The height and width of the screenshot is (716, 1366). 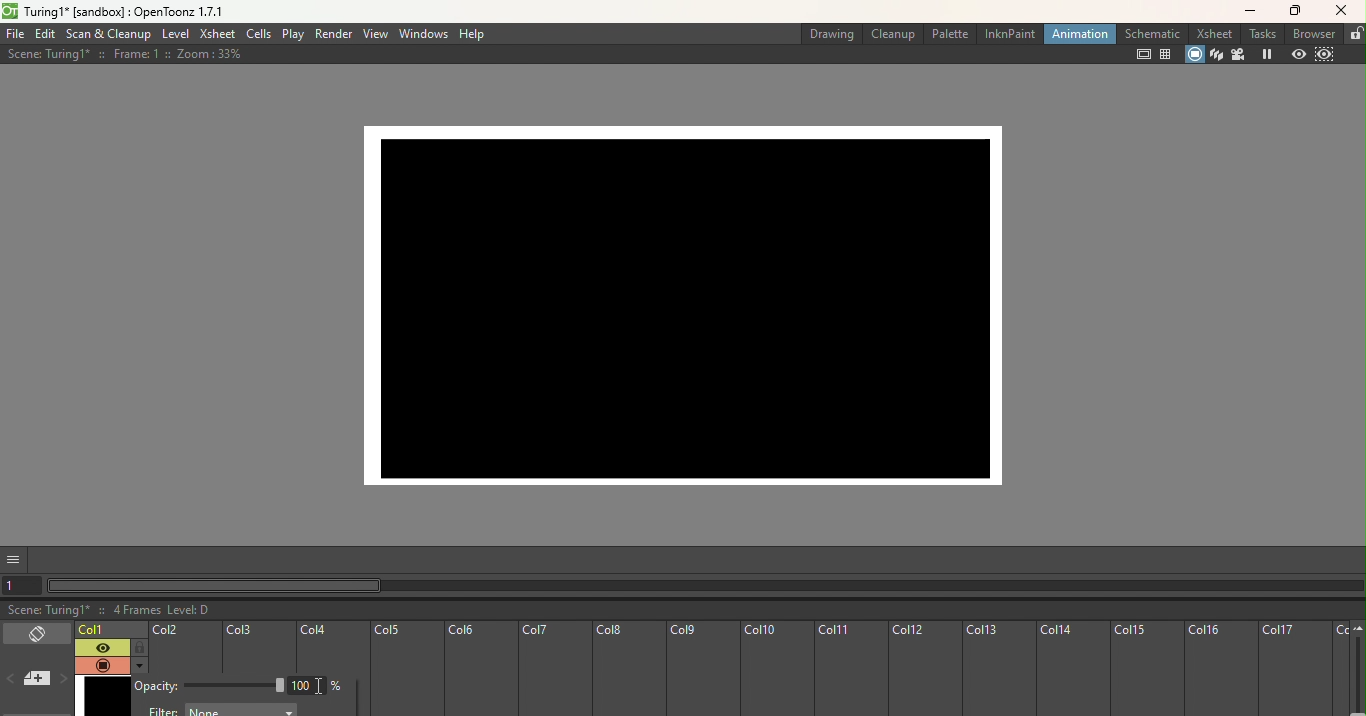 I want to click on Col17, so click(x=1295, y=669).